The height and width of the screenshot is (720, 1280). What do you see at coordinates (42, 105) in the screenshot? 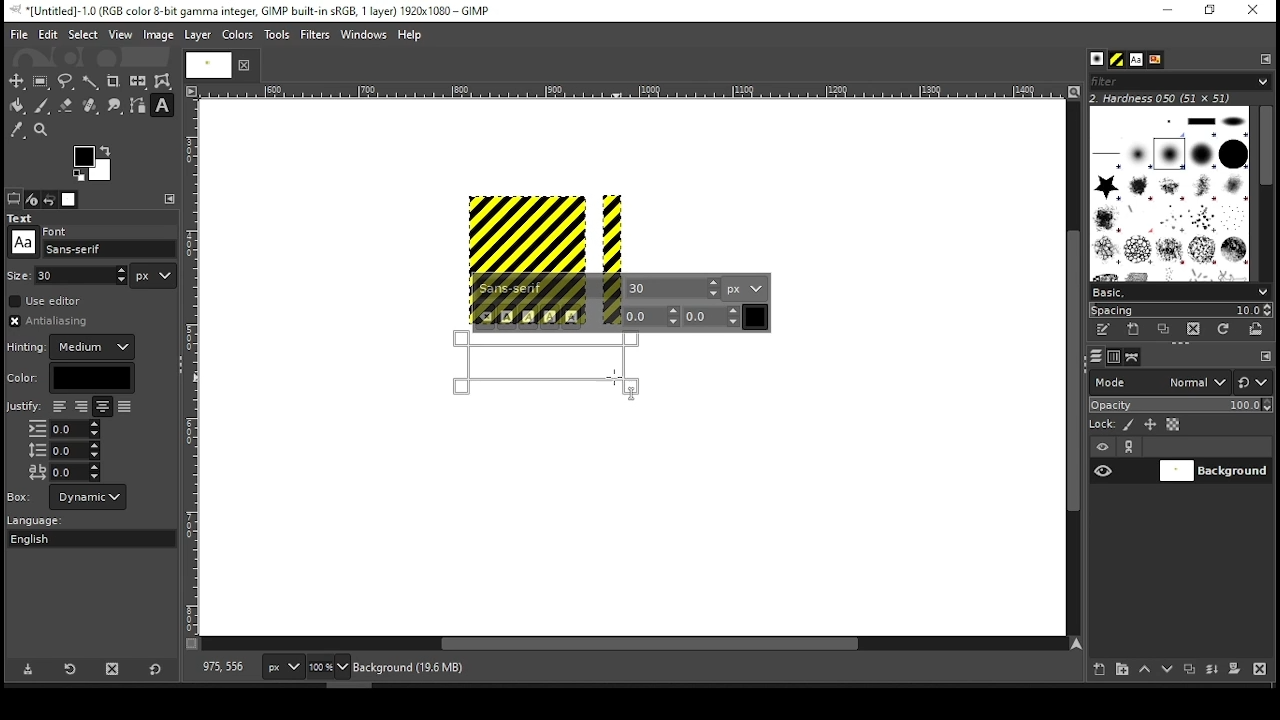
I see `paint brush tool` at bounding box center [42, 105].